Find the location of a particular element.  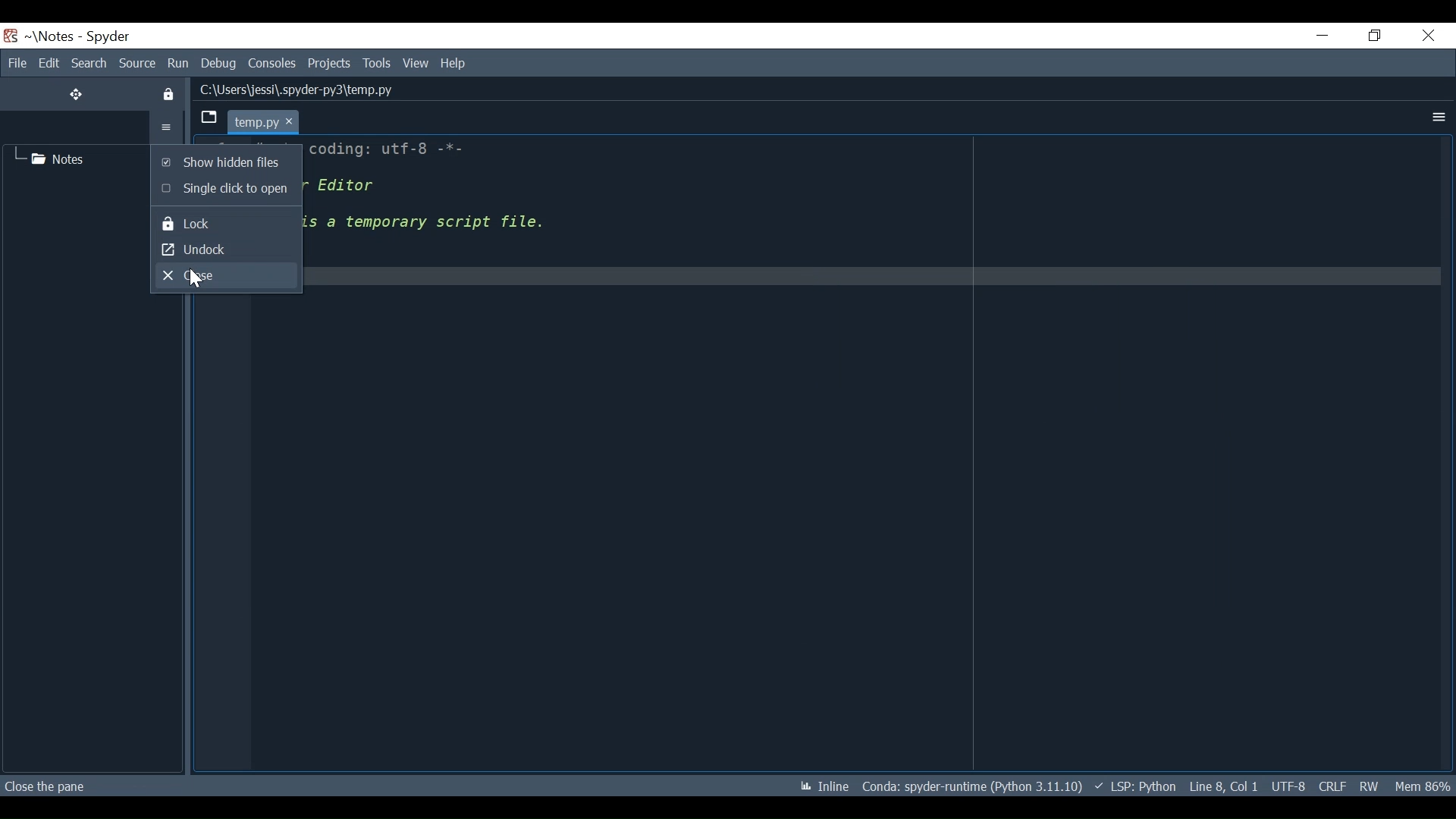

Run is located at coordinates (178, 64).